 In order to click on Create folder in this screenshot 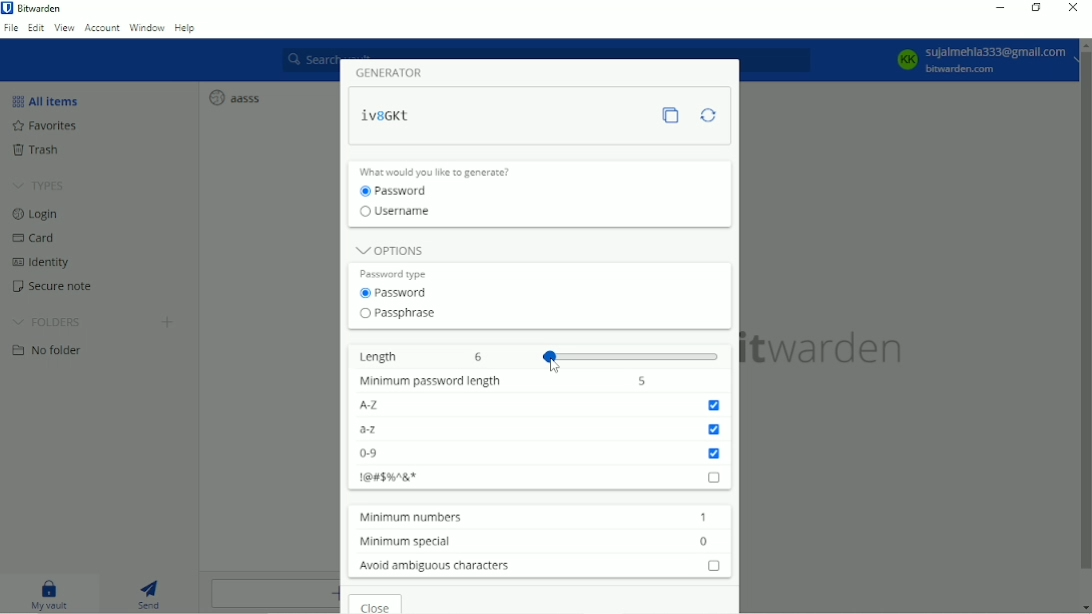, I will do `click(167, 324)`.